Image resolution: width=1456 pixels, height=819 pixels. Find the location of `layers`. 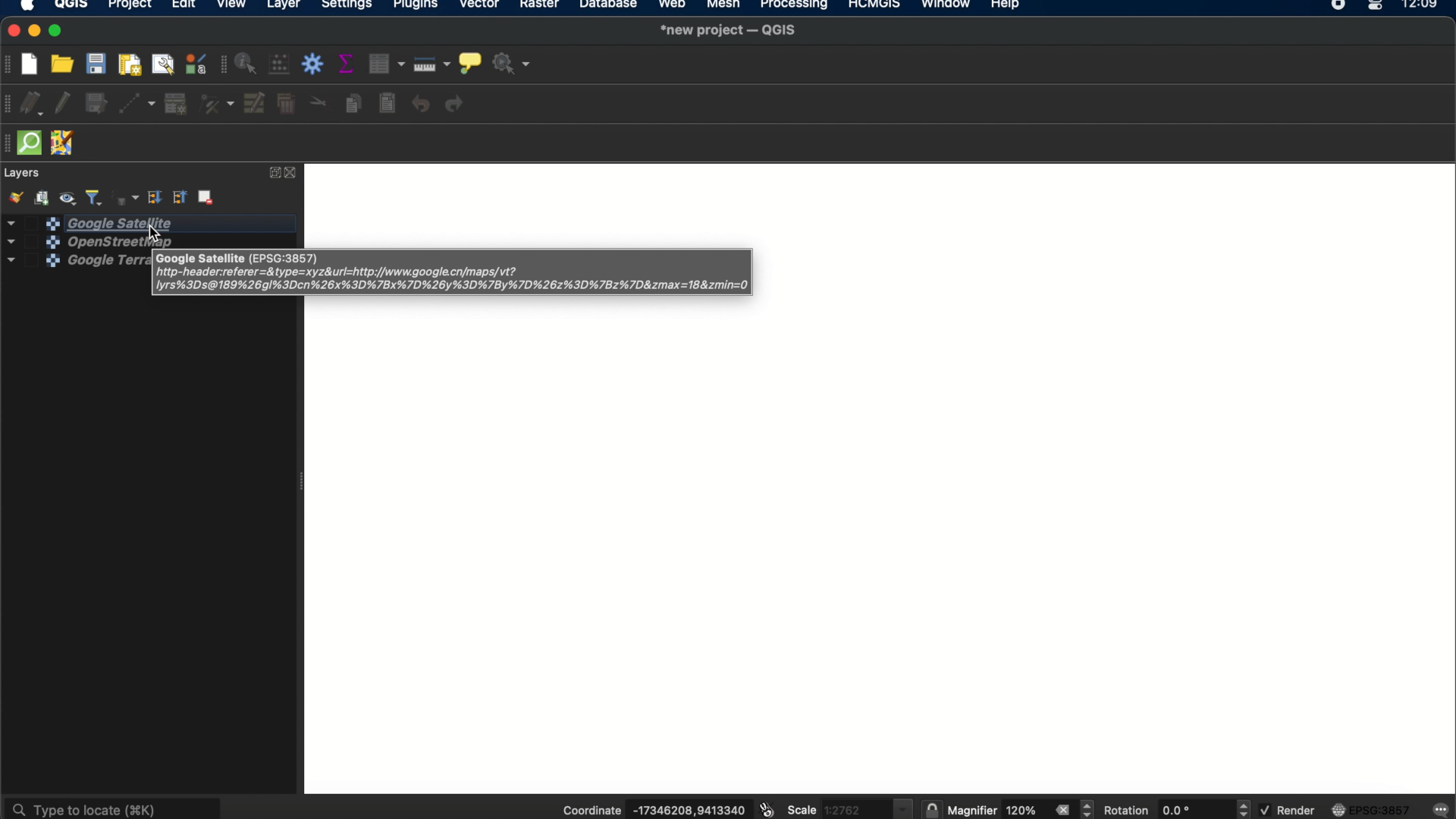

layers is located at coordinates (24, 173).